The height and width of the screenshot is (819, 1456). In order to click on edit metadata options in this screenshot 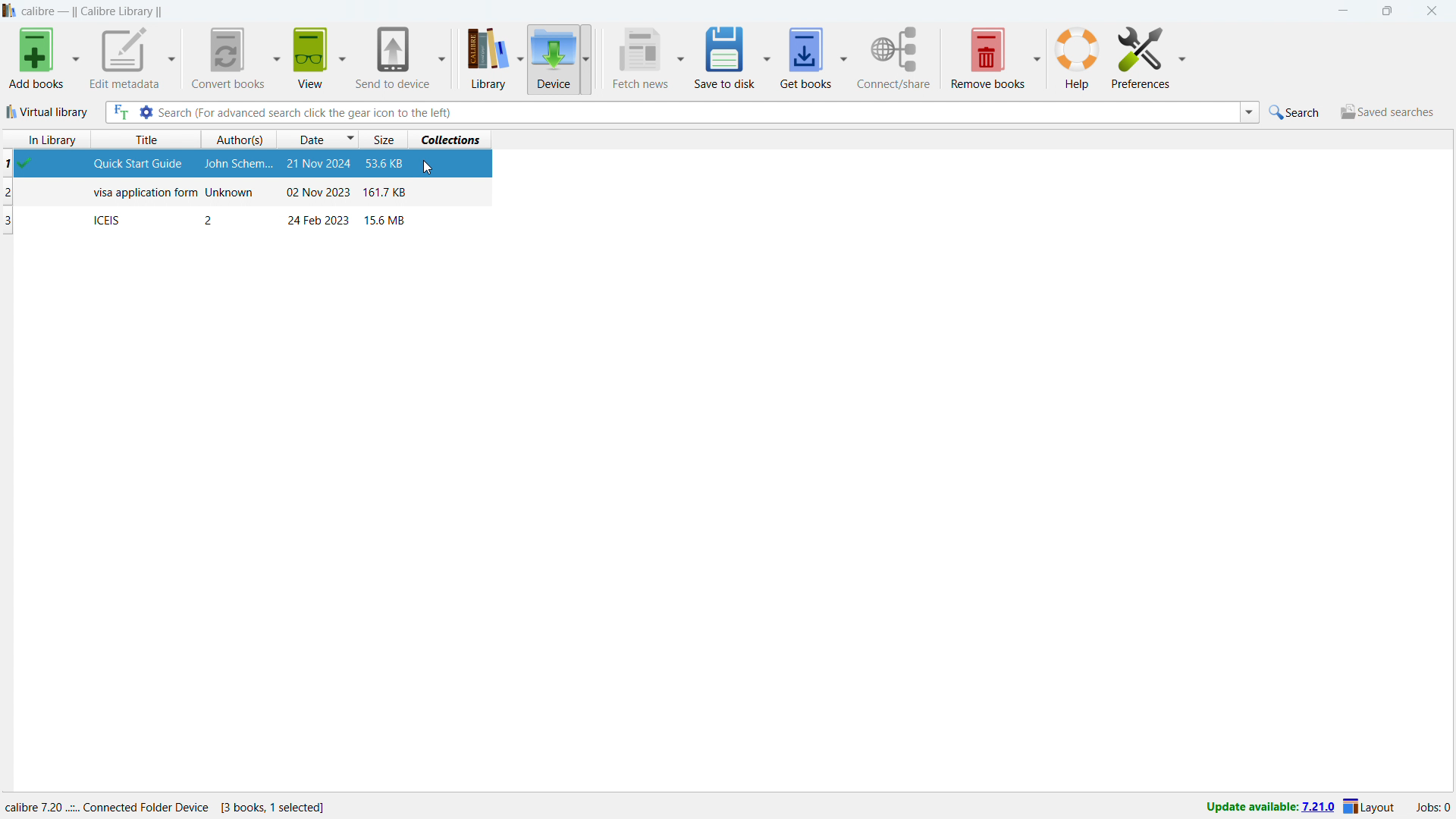, I will do `click(172, 60)`.